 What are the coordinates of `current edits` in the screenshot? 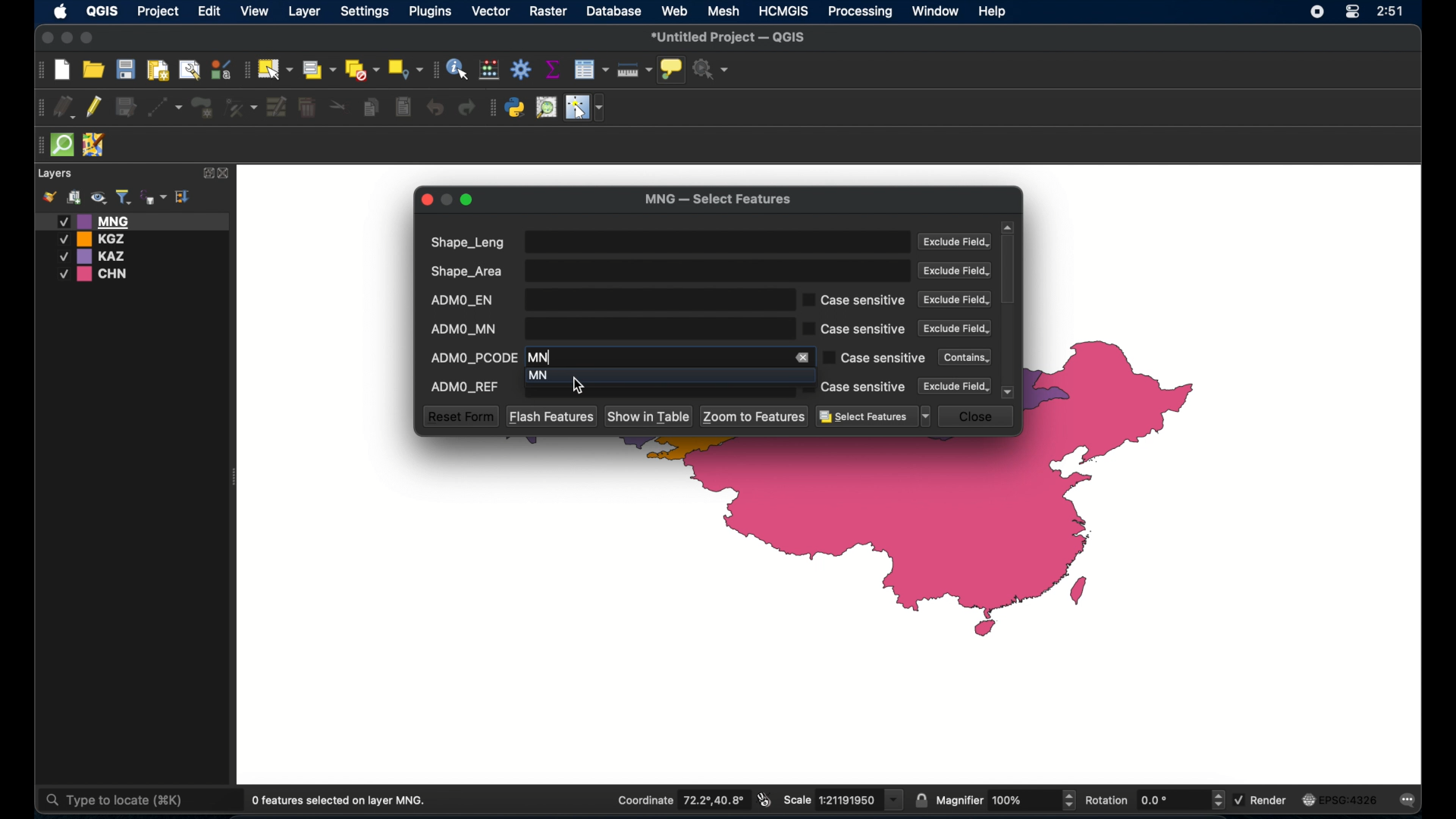 It's located at (64, 106).